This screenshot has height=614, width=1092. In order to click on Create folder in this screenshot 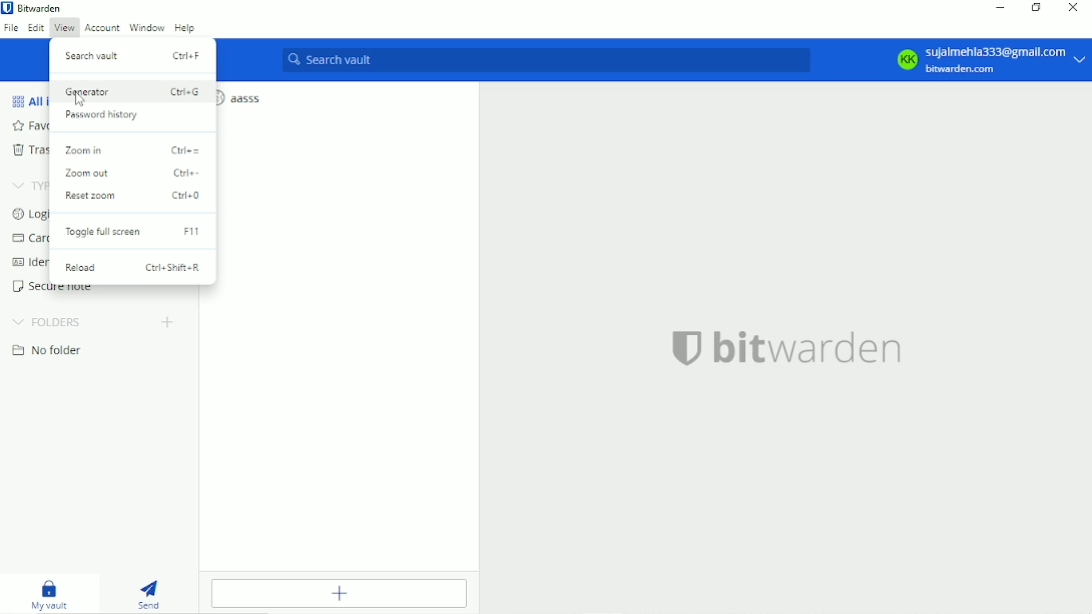, I will do `click(168, 323)`.